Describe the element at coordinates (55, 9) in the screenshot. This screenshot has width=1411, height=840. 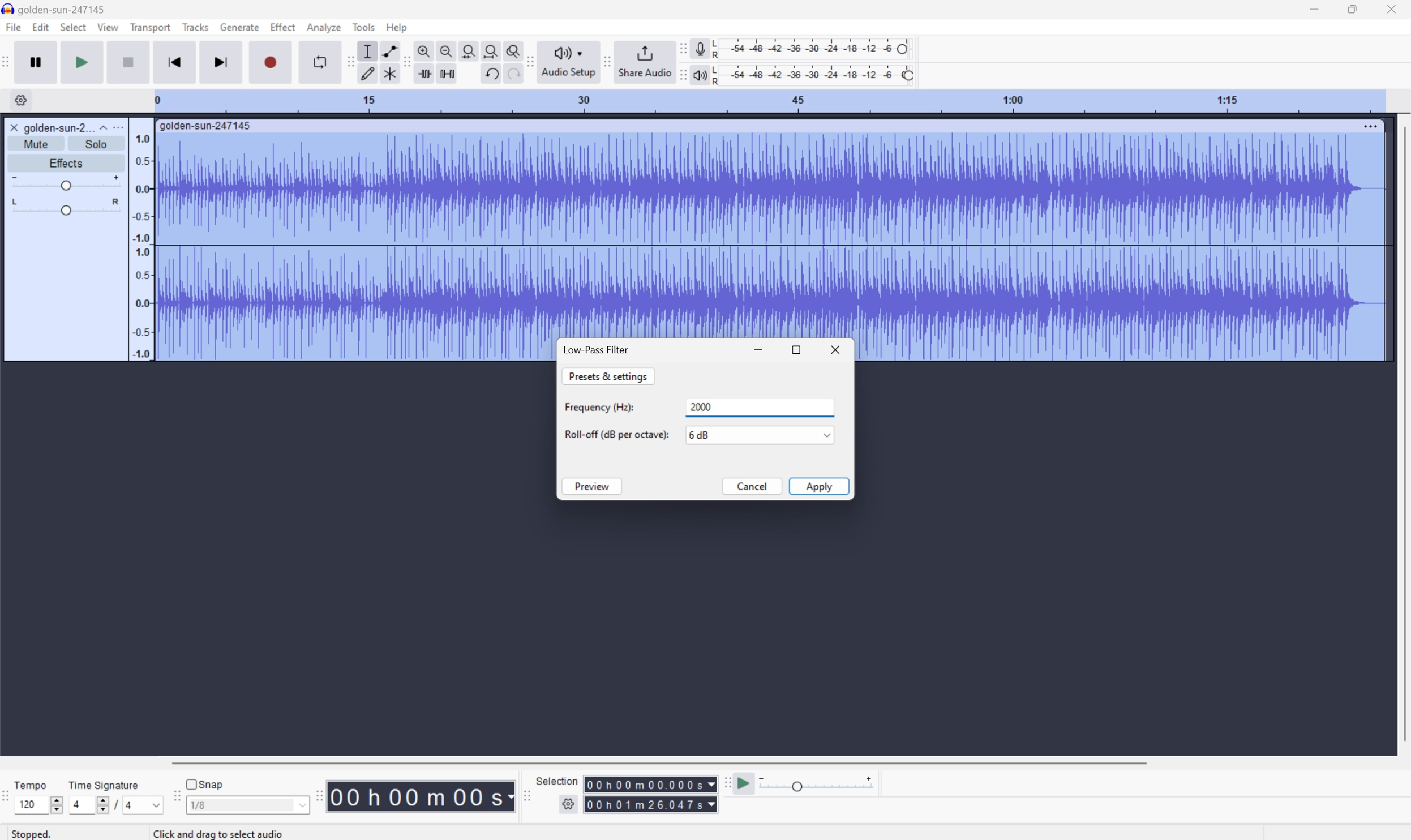
I see `goldensun-247145` at that location.